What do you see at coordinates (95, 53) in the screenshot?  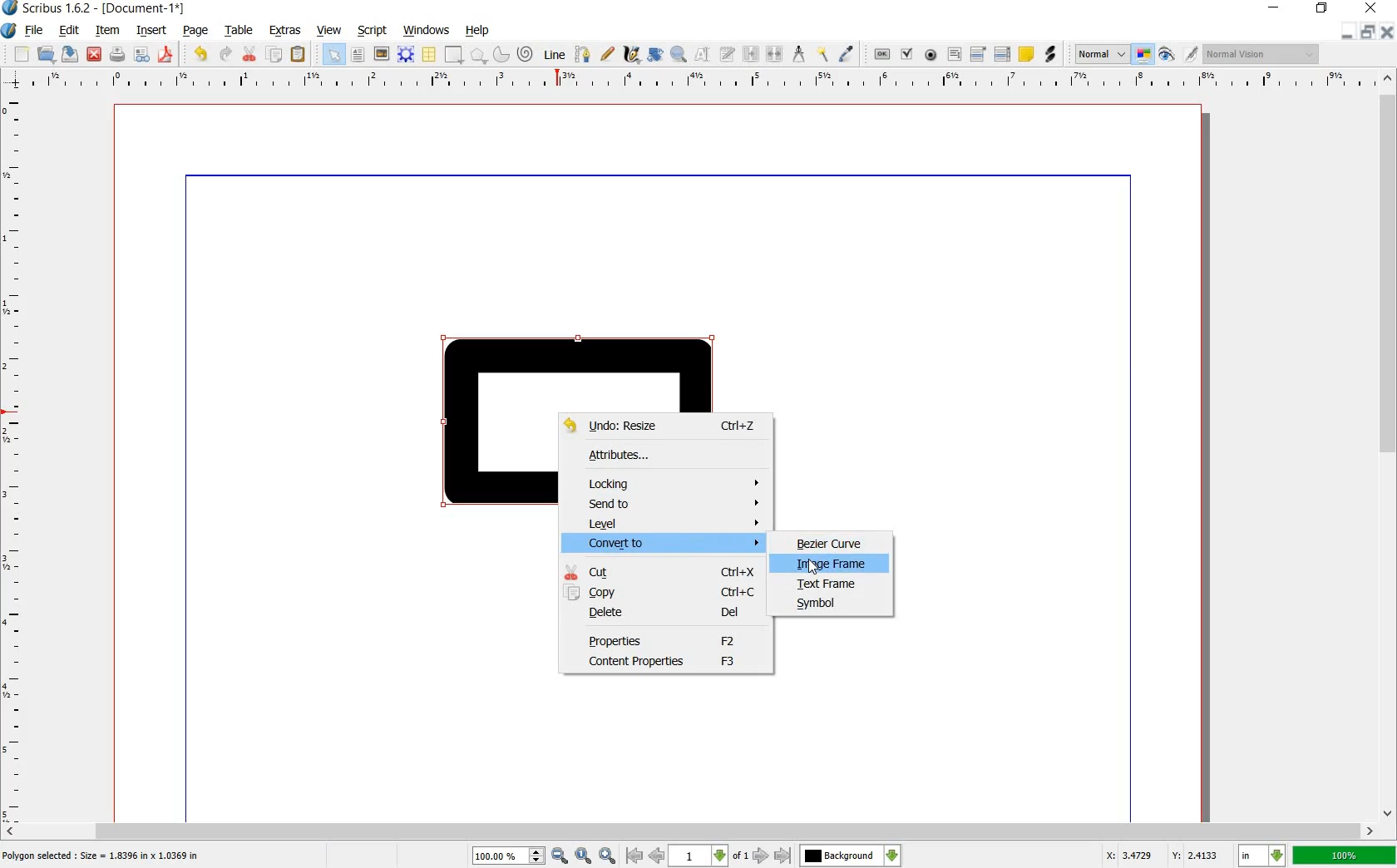 I see `close` at bounding box center [95, 53].